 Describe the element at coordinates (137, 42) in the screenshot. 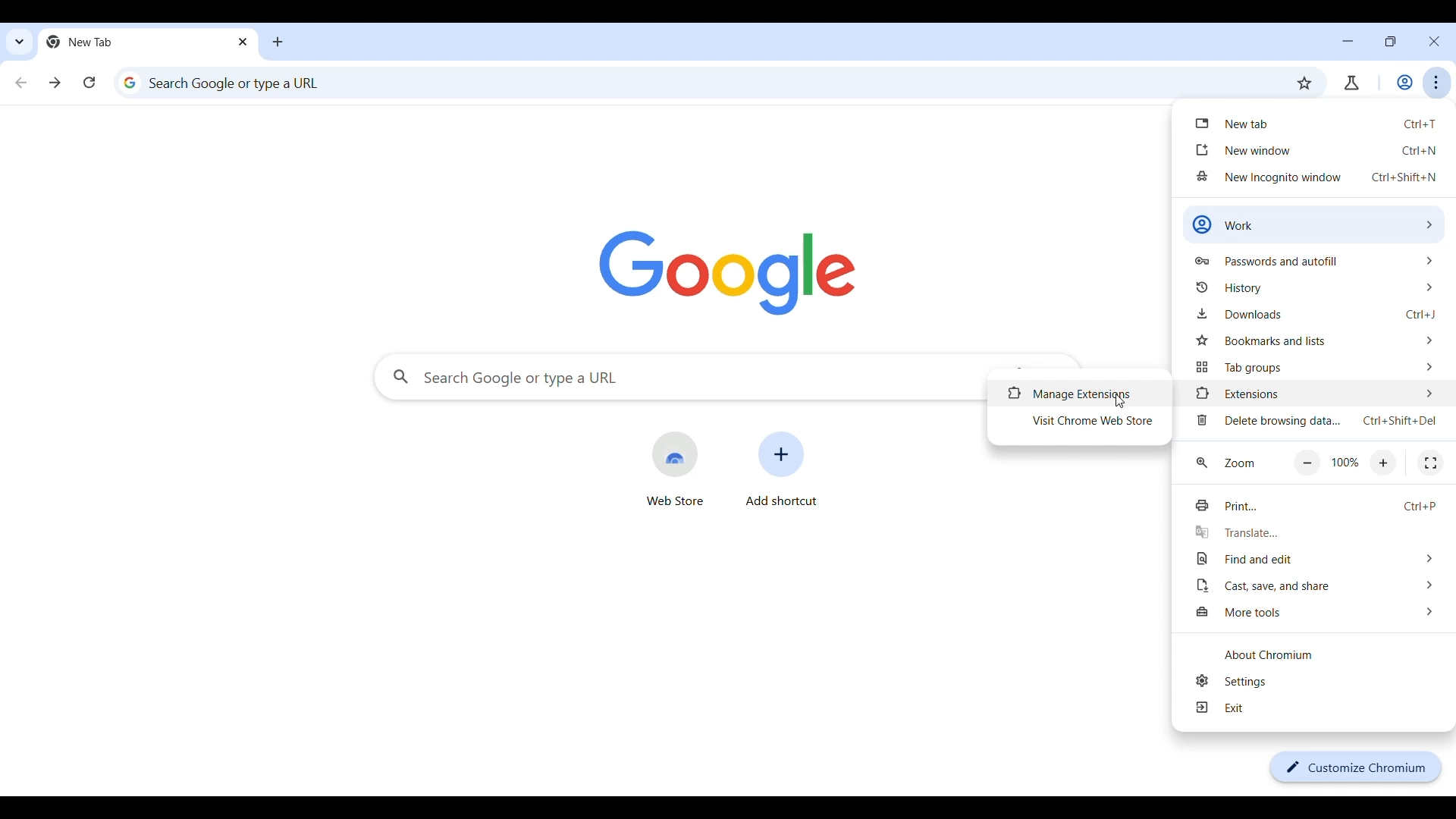

I see `Current open tab` at that location.